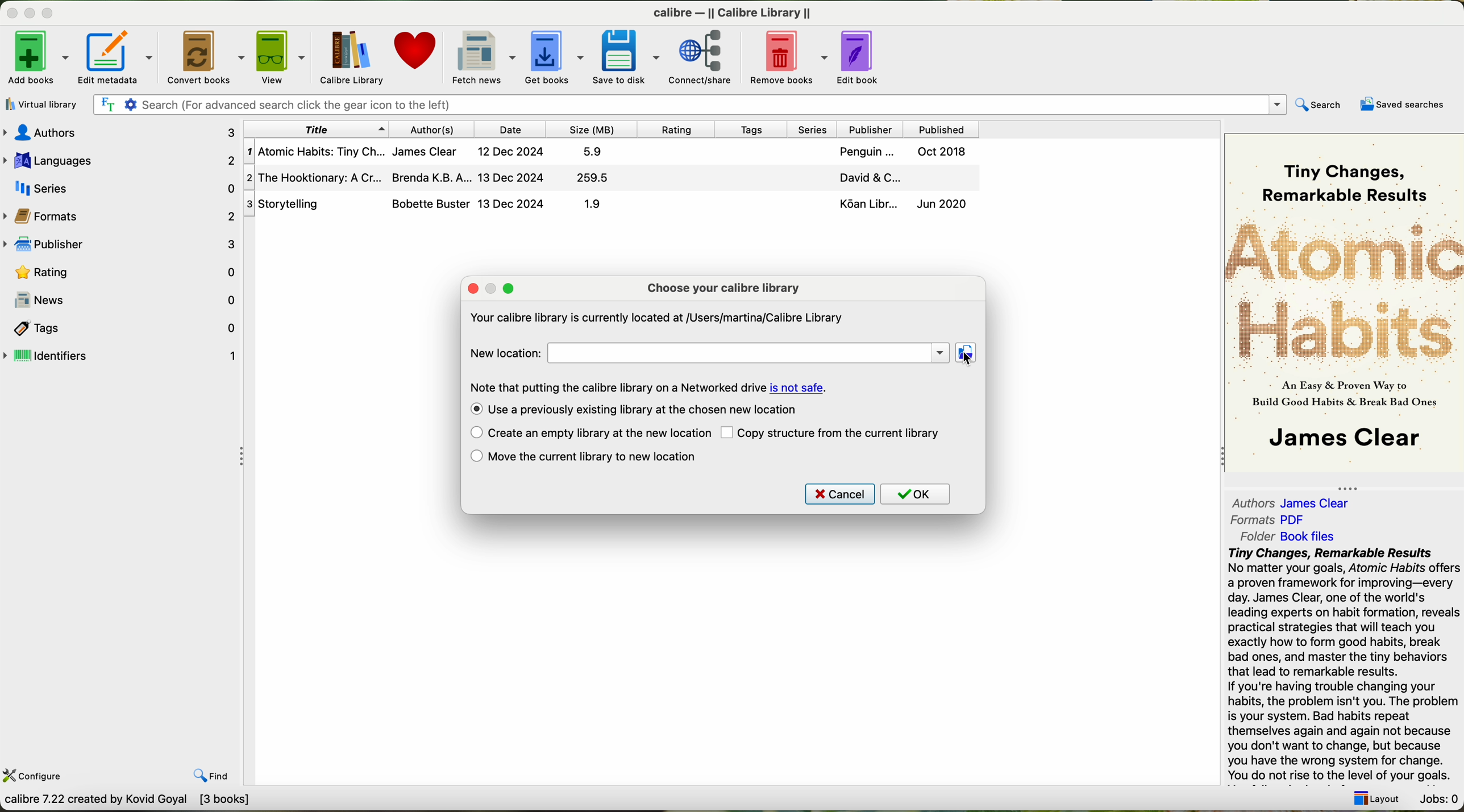 The width and height of the screenshot is (1464, 812). What do you see at coordinates (966, 357) in the screenshot?
I see `cursor` at bounding box center [966, 357].